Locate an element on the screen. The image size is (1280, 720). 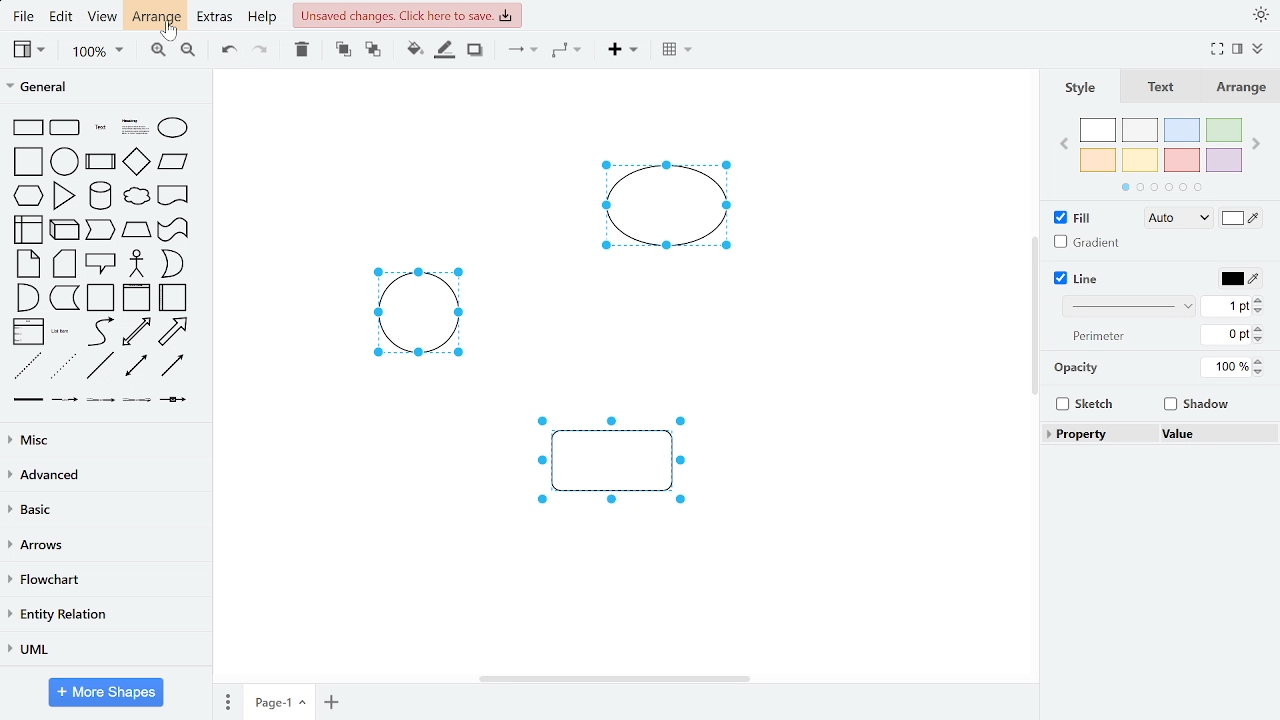
fill style is located at coordinates (1175, 219).